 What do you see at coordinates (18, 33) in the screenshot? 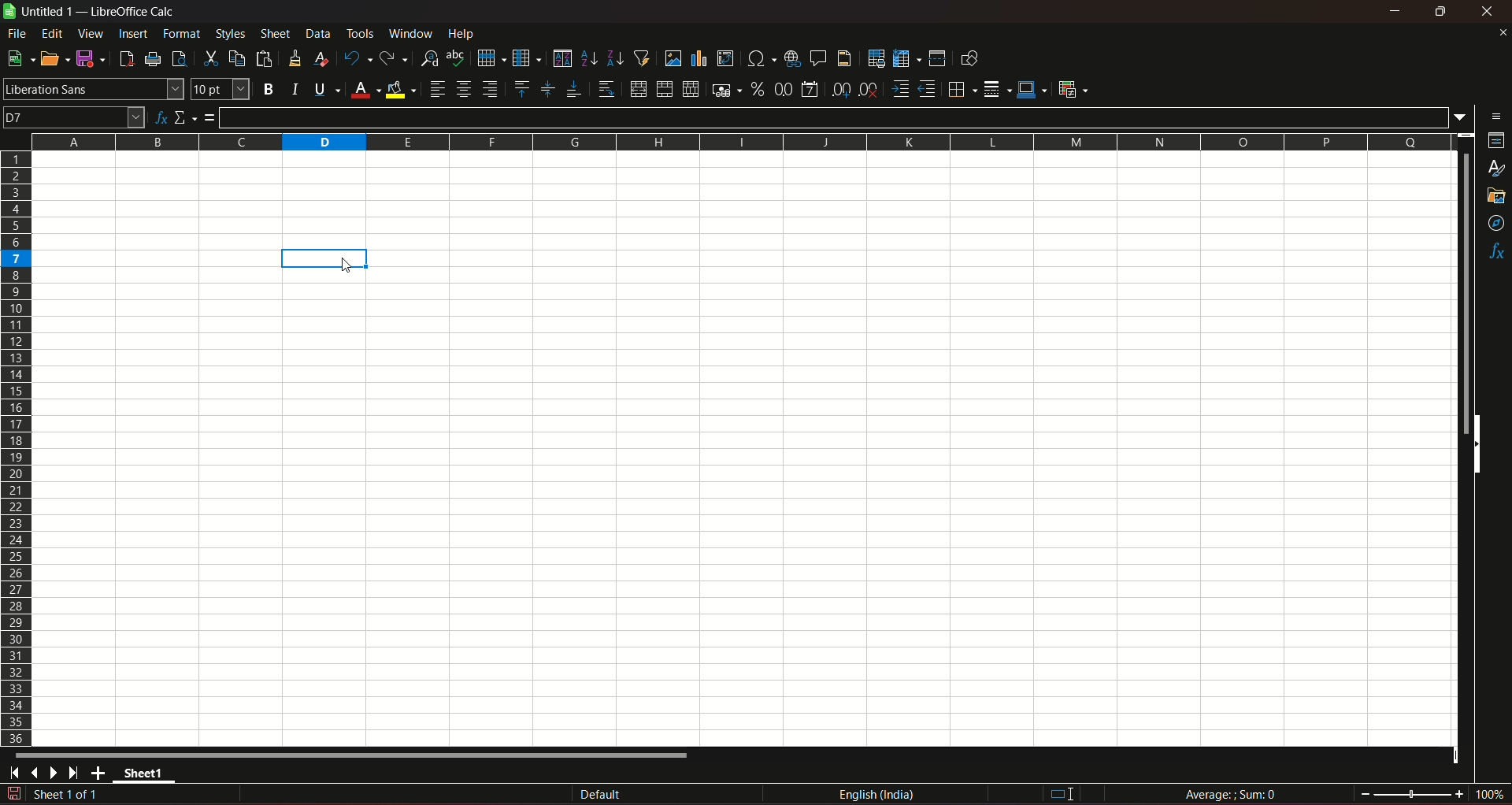
I see `file` at bounding box center [18, 33].